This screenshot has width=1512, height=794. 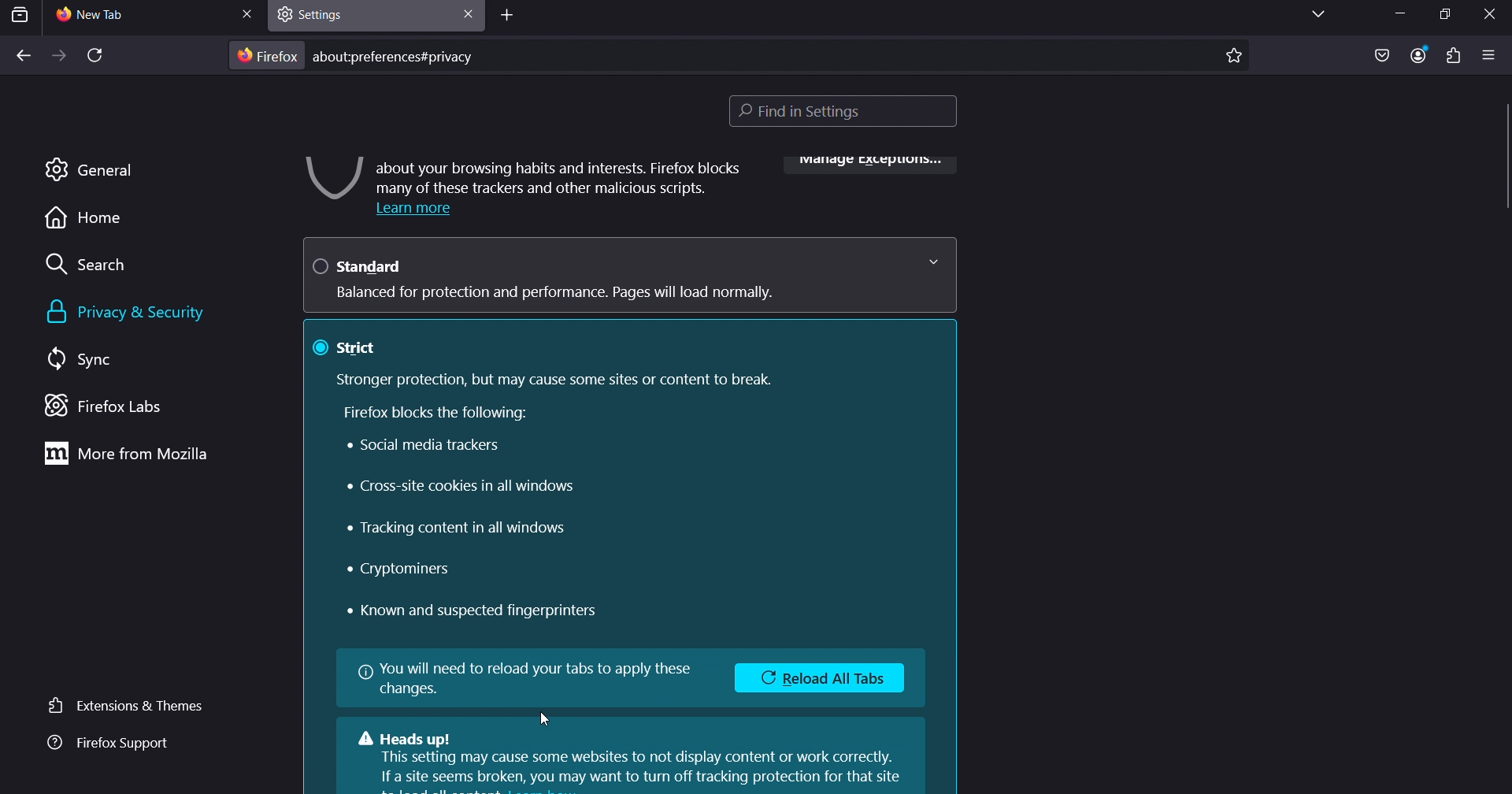 What do you see at coordinates (1492, 13) in the screenshot?
I see `close` at bounding box center [1492, 13].